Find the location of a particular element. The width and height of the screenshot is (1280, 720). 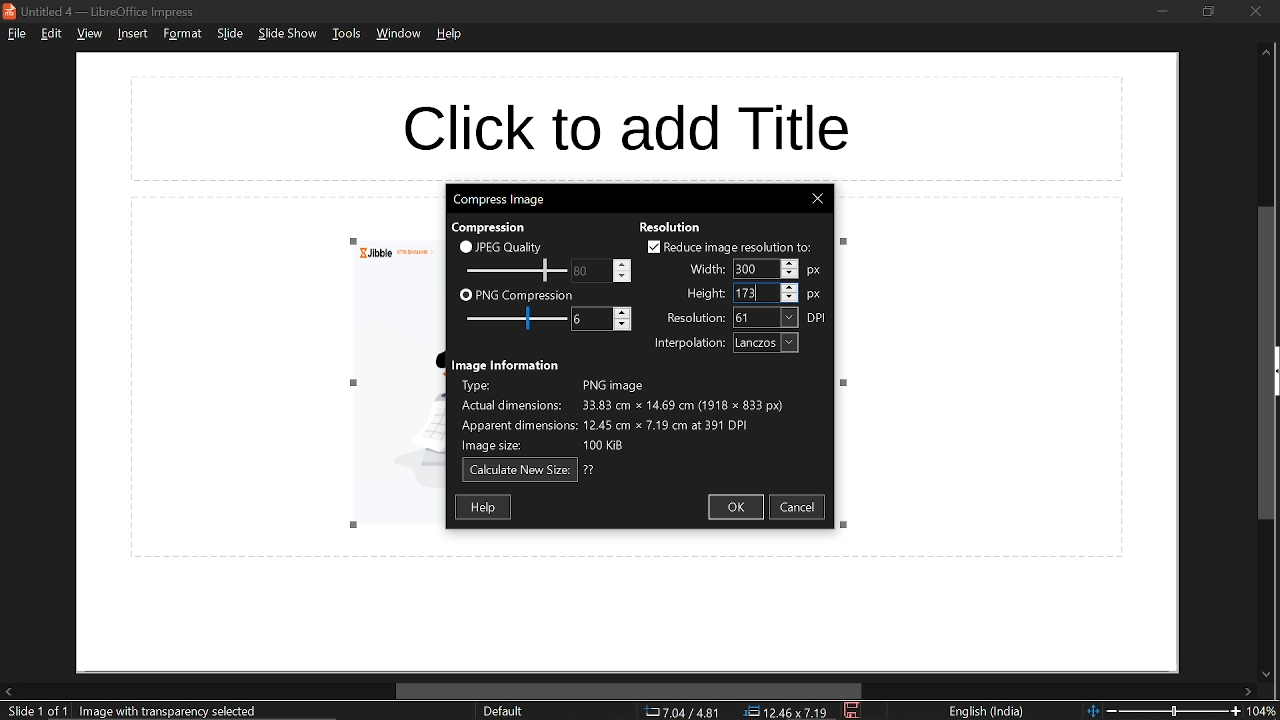

slide is located at coordinates (229, 35).